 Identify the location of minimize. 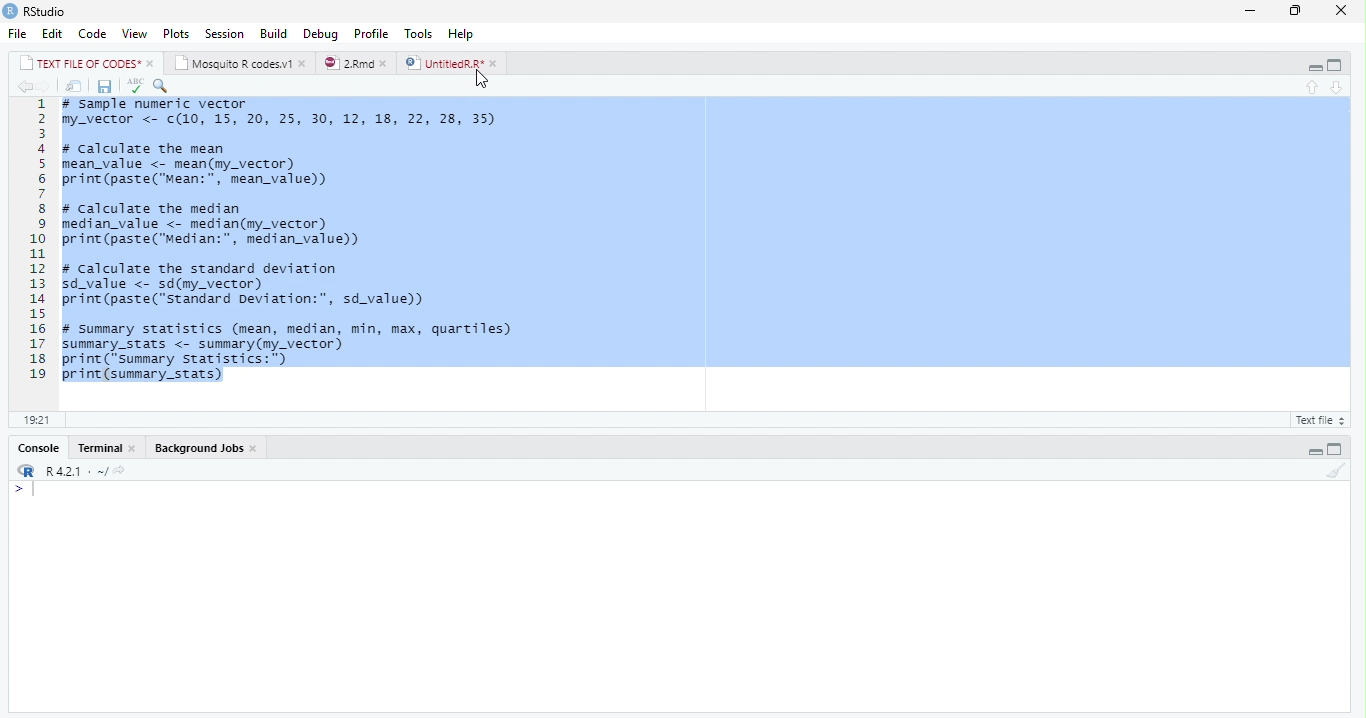
(1250, 12).